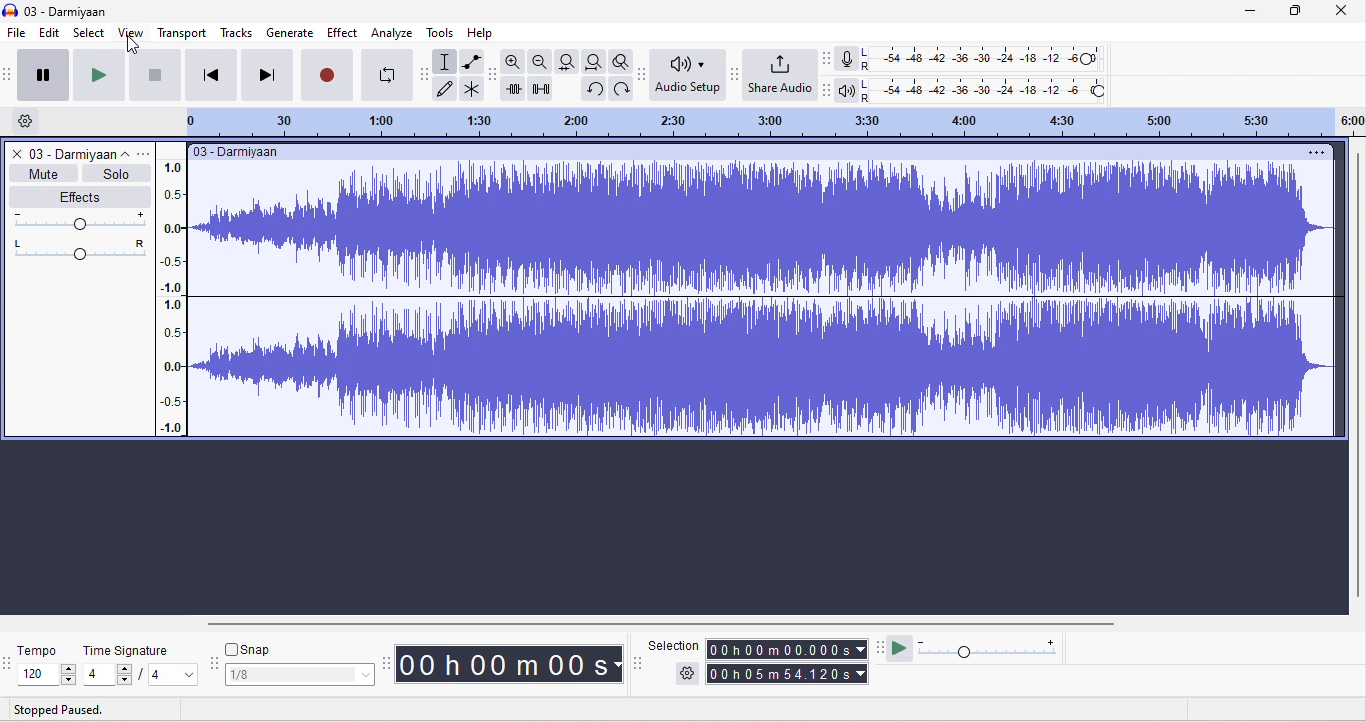 This screenshot has height=722, width=1366. I want to click on record meter, so click(847, 59).